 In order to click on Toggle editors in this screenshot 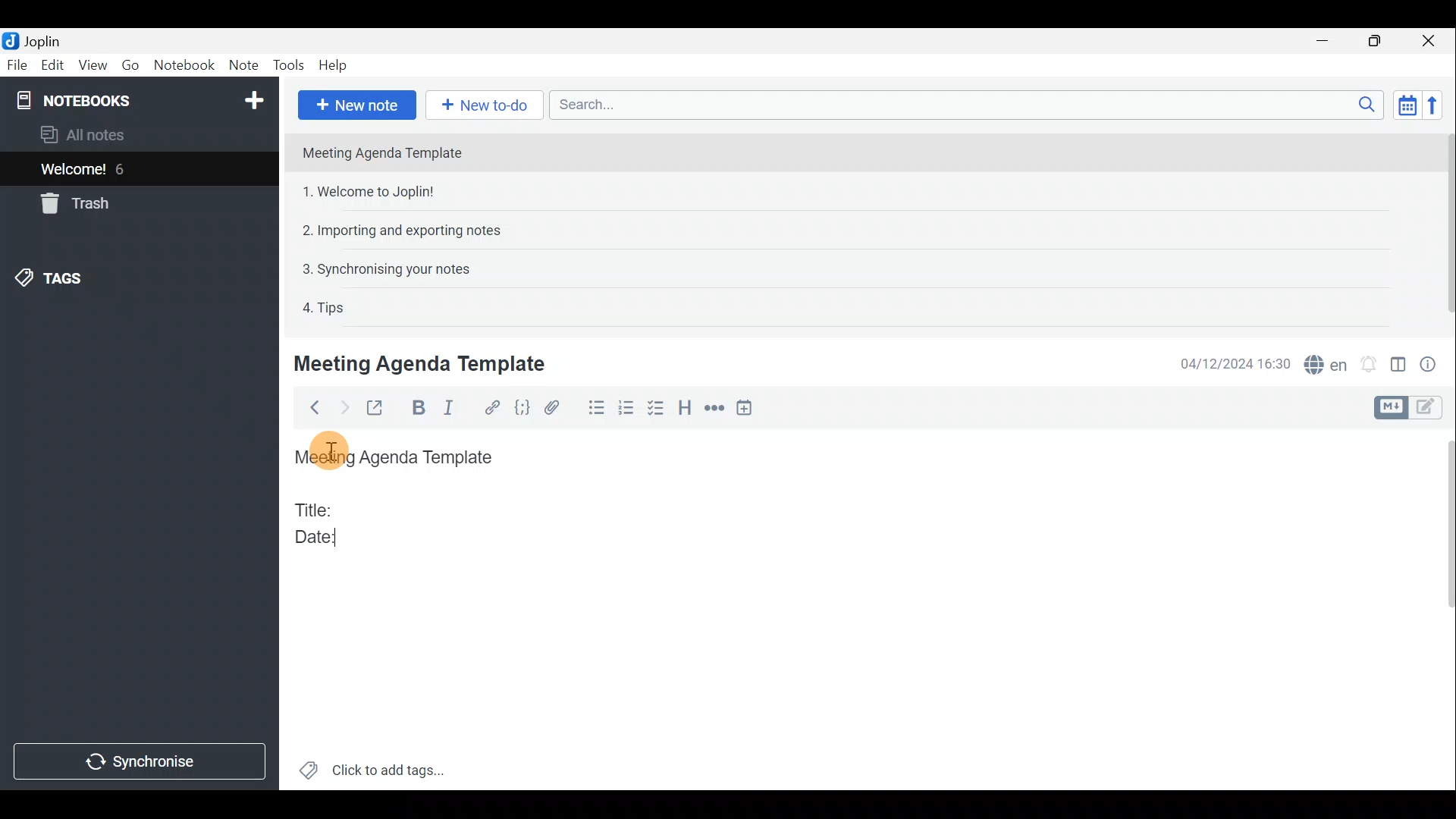, I will do `click(1389, 408)`.